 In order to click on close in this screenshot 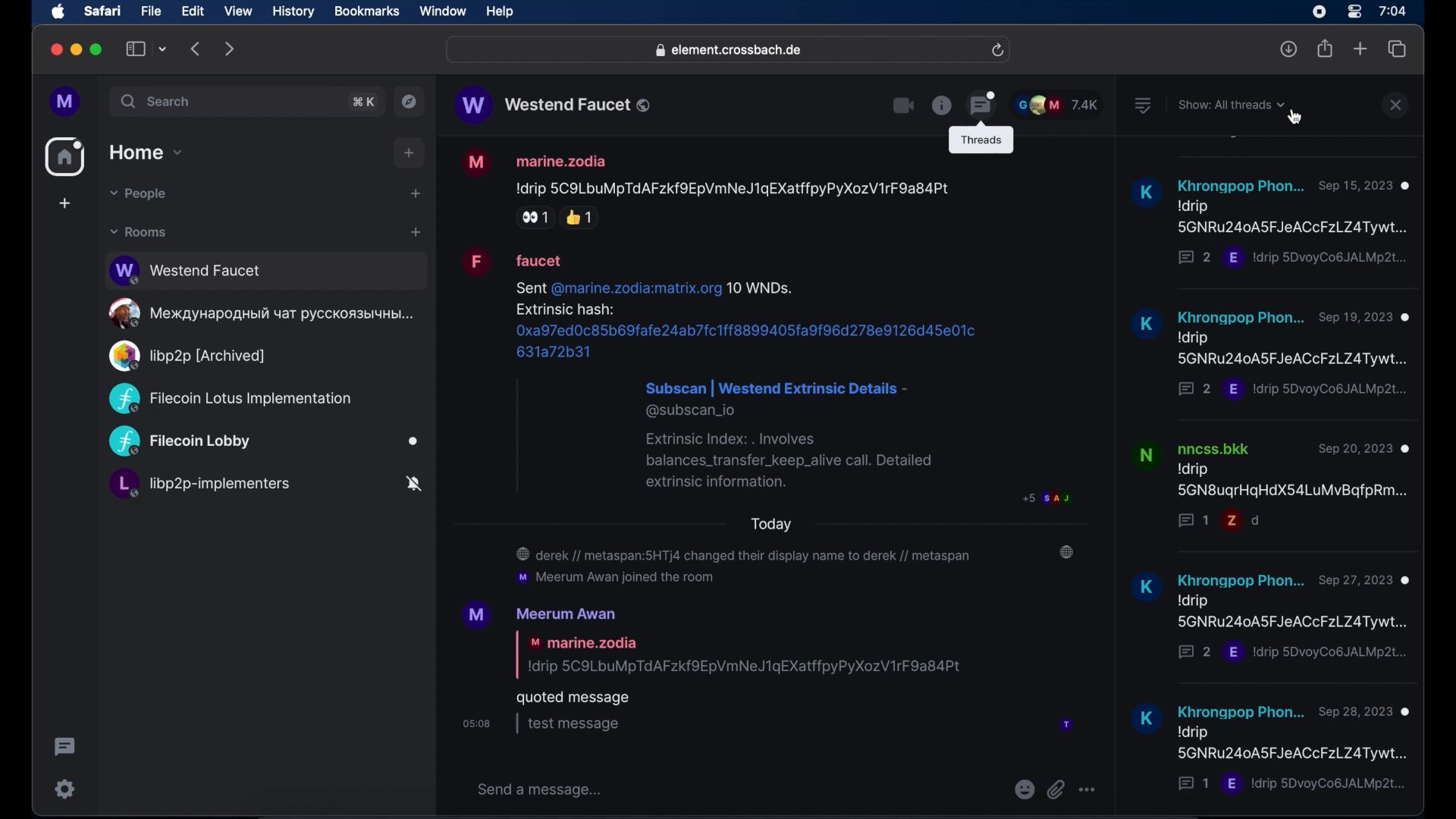, I will do `click(55, 49)`.